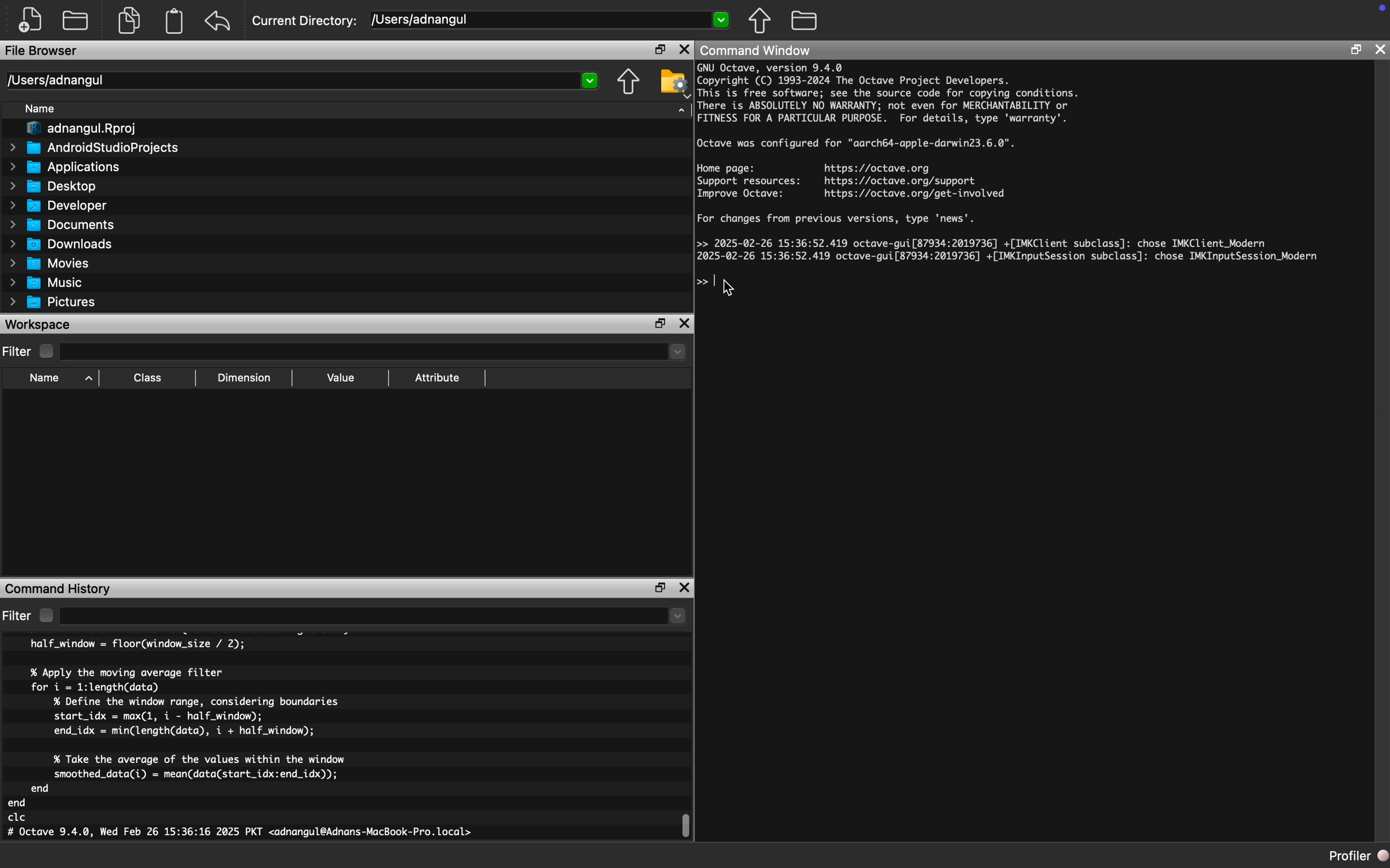 The width and height of the screenshot is (1390, 868). I want to click on Dropdown, so click(375, 353).